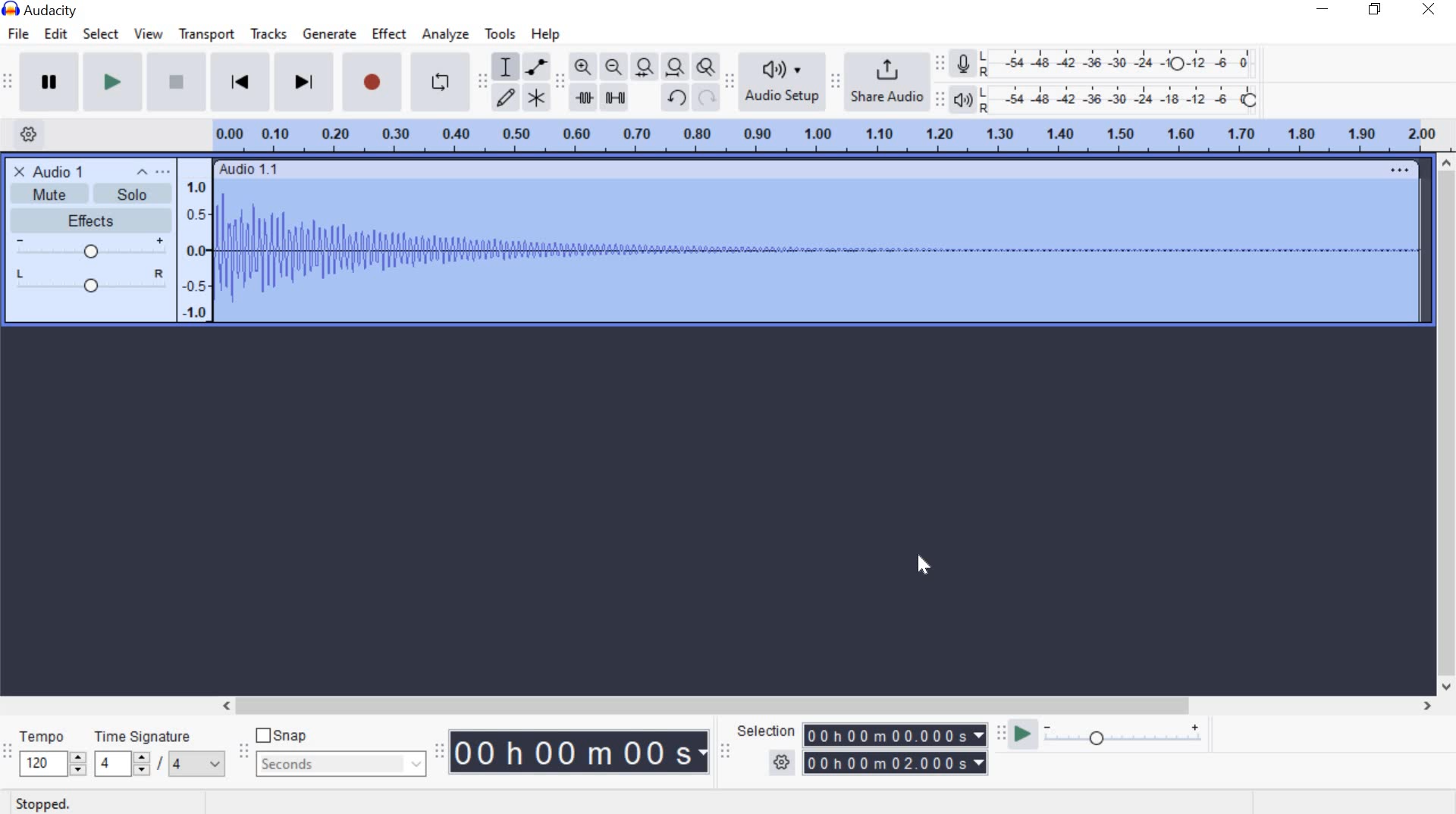 The width and height of the screenshot is (1456, 814). Describe the element at coordinates (500, 36) in the screenshot. I see `tools` at that location.